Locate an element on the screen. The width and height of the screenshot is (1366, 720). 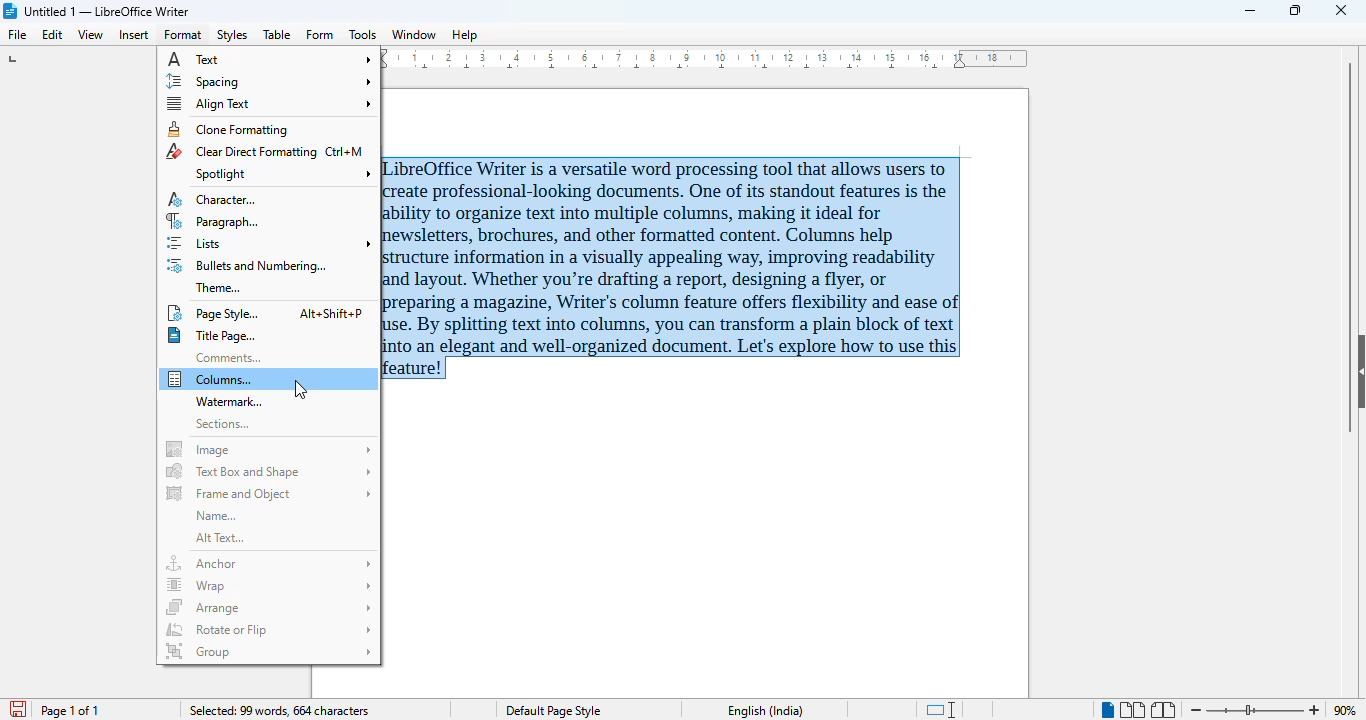
ruler is located at coordinates (708, 59).